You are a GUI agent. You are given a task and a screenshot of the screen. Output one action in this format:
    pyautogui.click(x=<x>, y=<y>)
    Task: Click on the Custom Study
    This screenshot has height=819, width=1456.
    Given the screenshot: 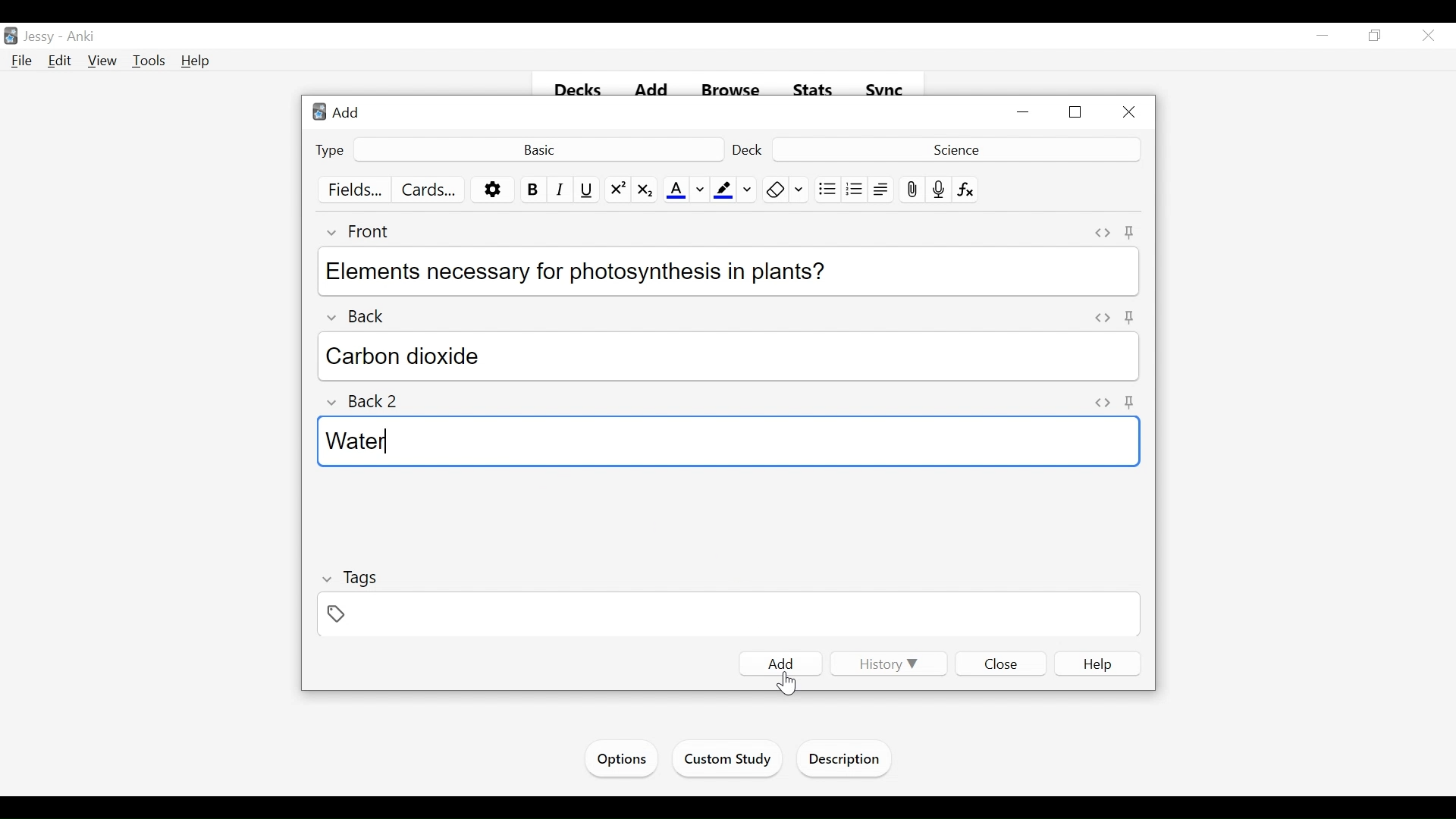 What is the action you would take?
    pyautogui.click(x=729, y=761)
    